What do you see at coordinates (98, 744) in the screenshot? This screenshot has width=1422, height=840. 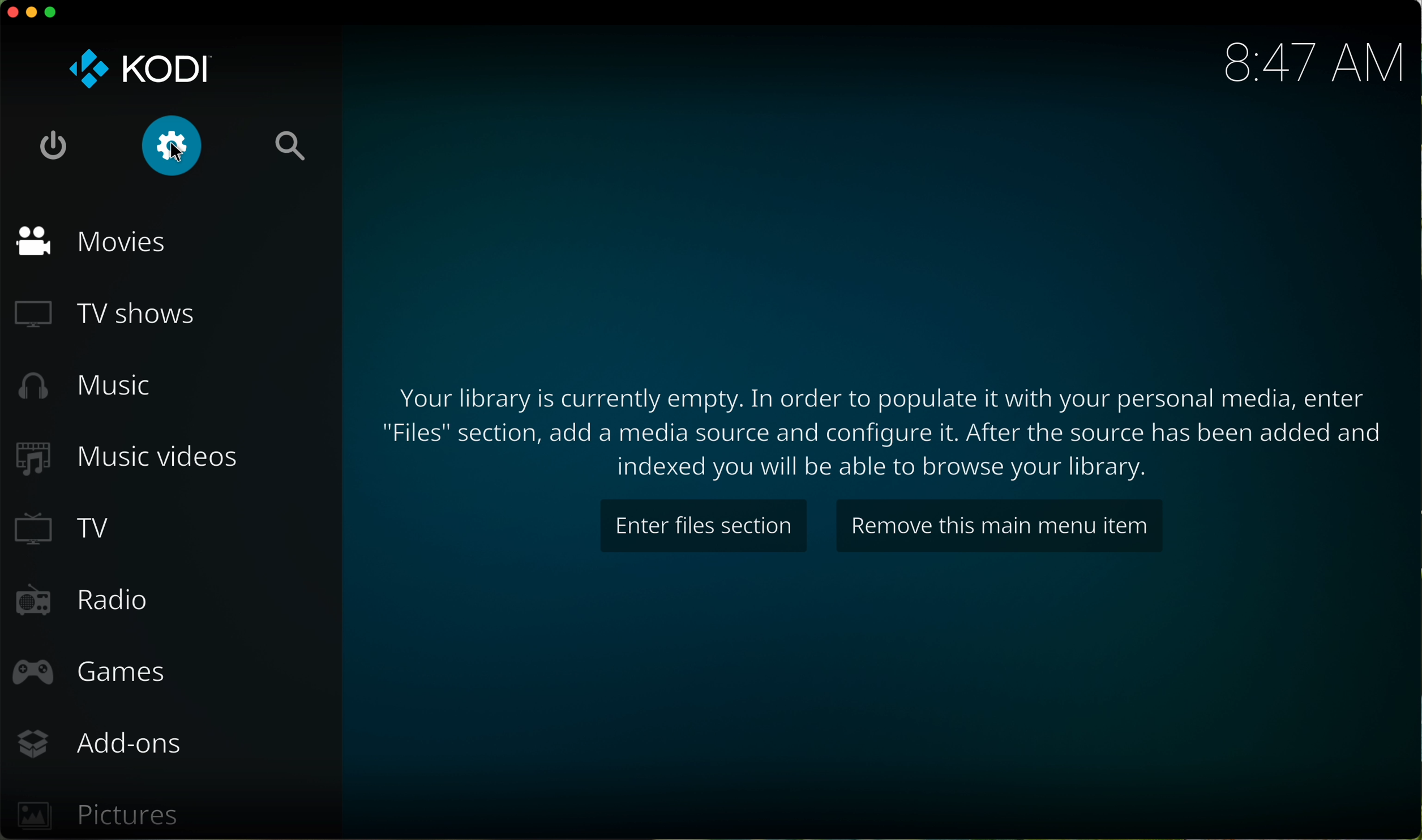 I see `add-ons` at bounding box center [98, 744].